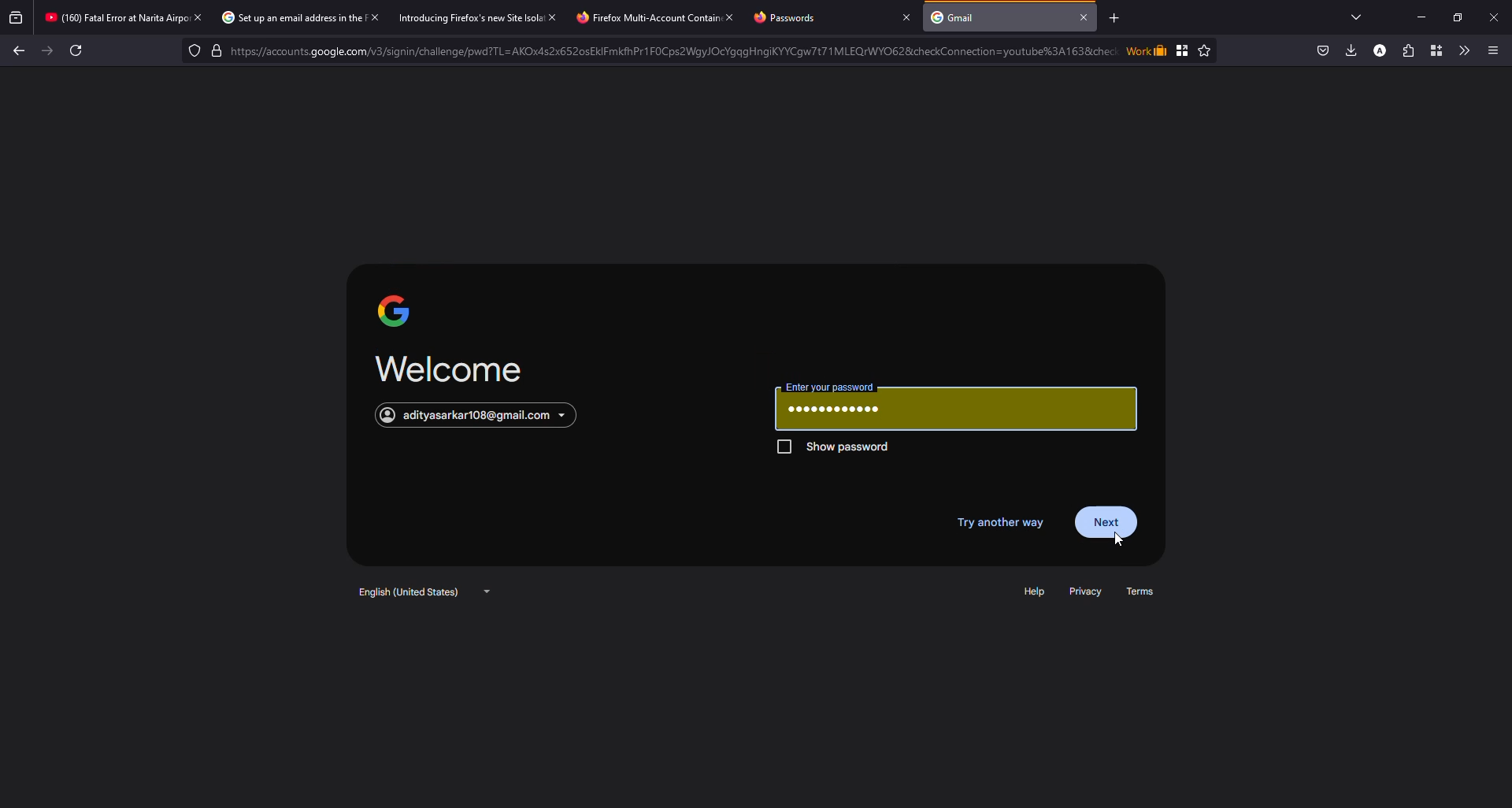 The width and height of the screenshot is (1512, 808). Describe the element at coordinates (76, 49) in the screenshot. I see `Refresh` at that location.